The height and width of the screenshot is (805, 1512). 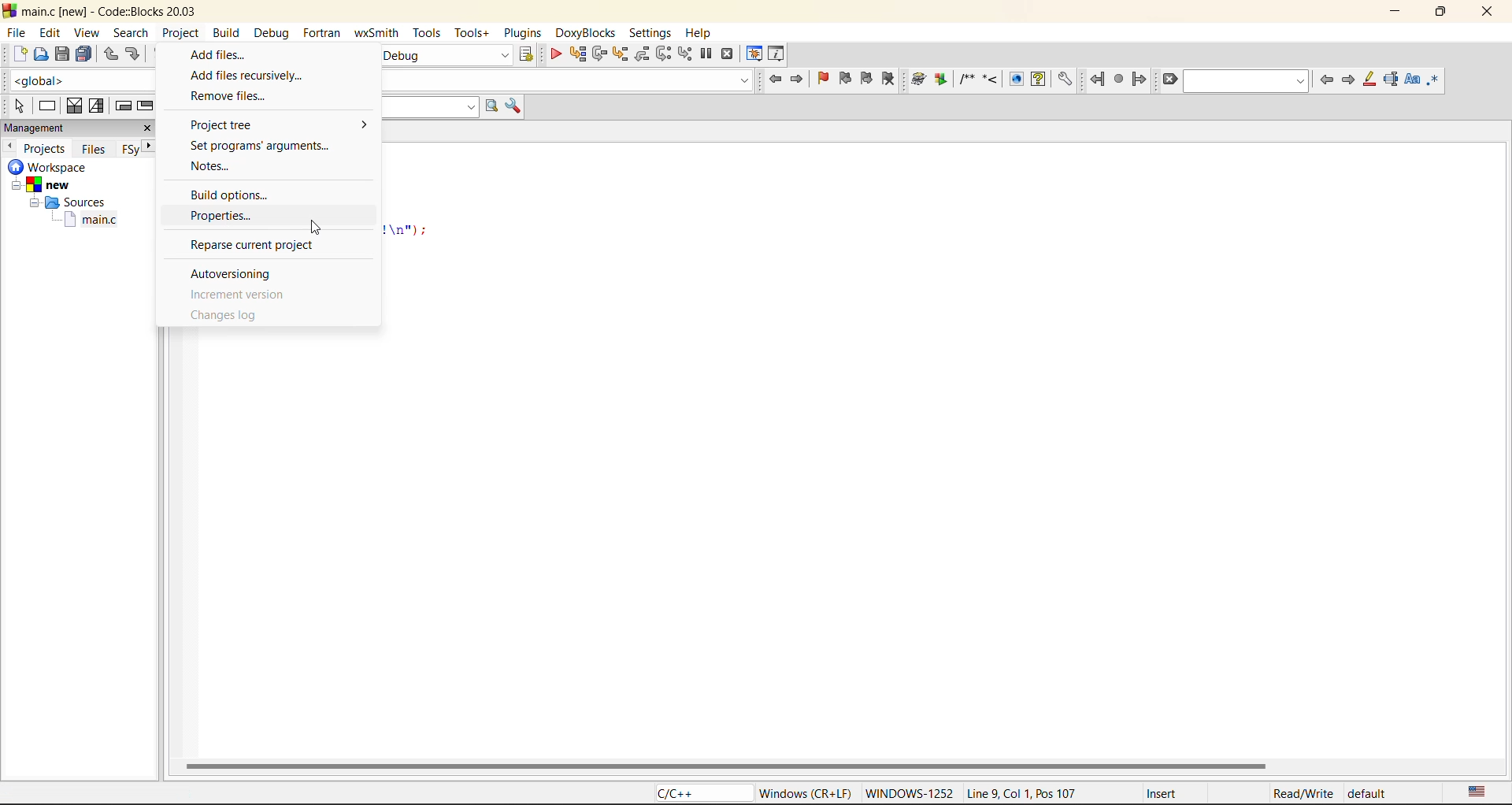 What do you see at coordinates (475, 32) in the screenshot?
I see `tools` at bounding box center [475, 32].